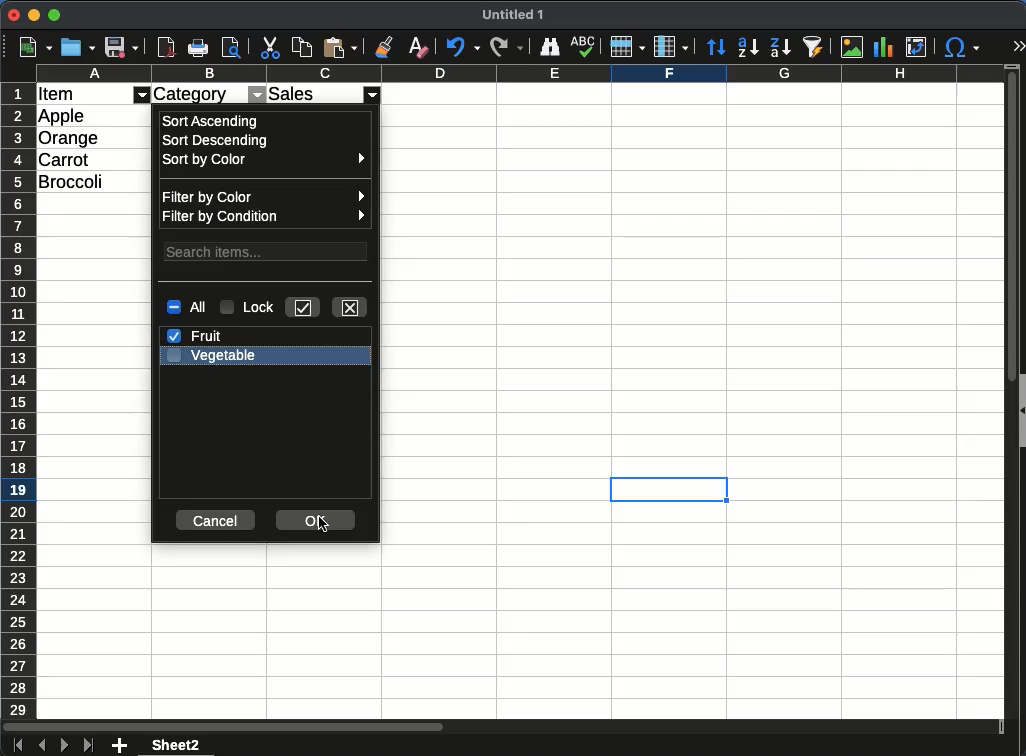 This screenshot has height=756, width=1026. What do you see at coordinates (301, 49) in the screenshot?
I see `copy` at bounding box center [301, 49].